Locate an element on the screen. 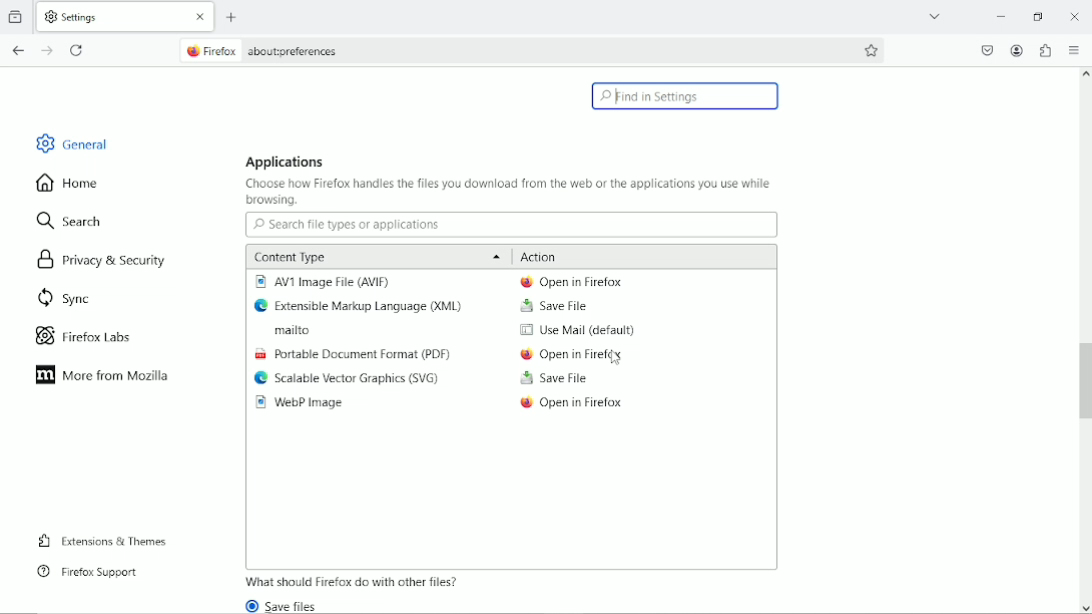 The image size is (1092, 614). Sync is located at coordinates (62, 299).